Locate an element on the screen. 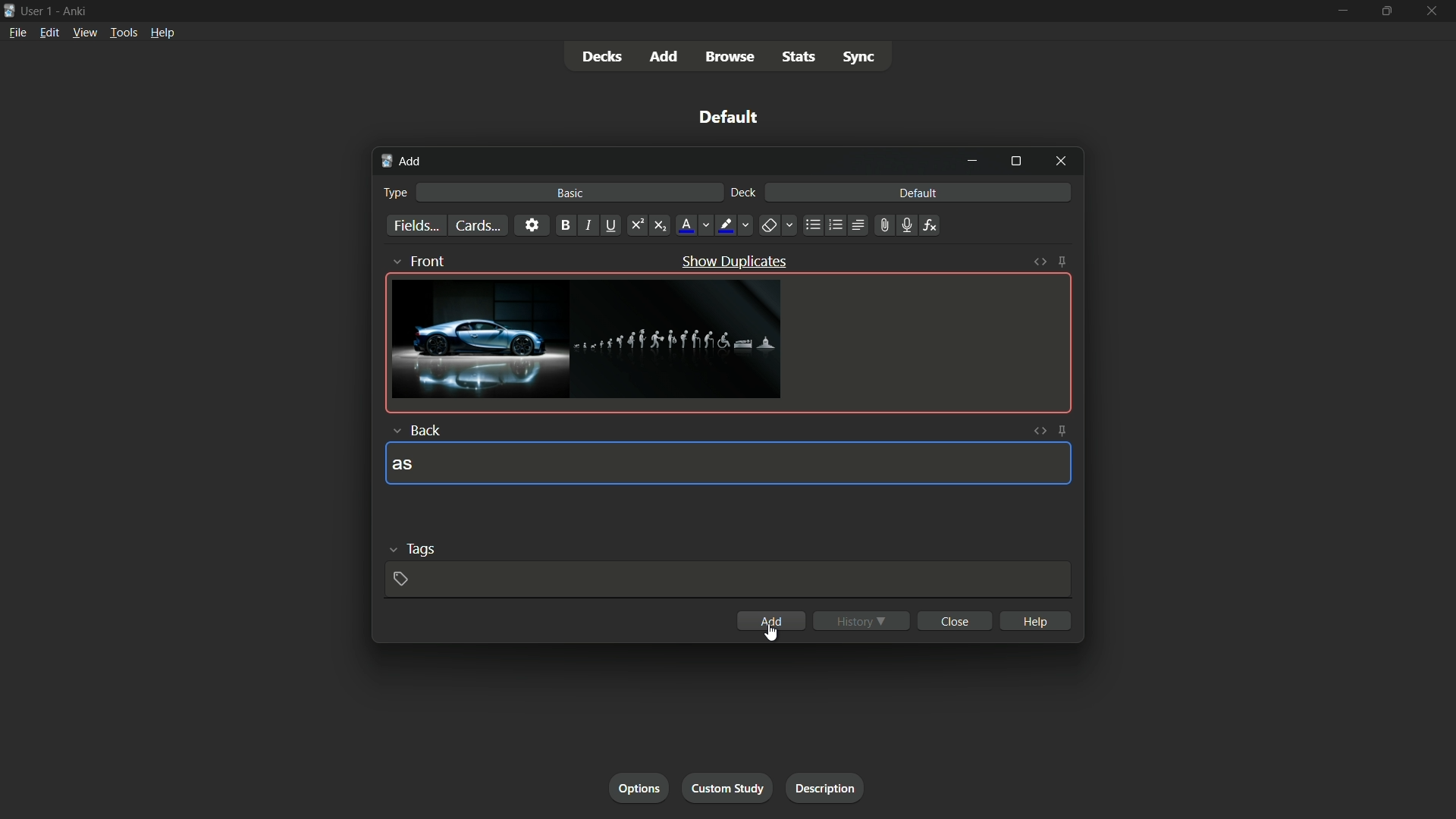 This screenshot has width=1456, height=819. underline is located at coordinates (613, 224).